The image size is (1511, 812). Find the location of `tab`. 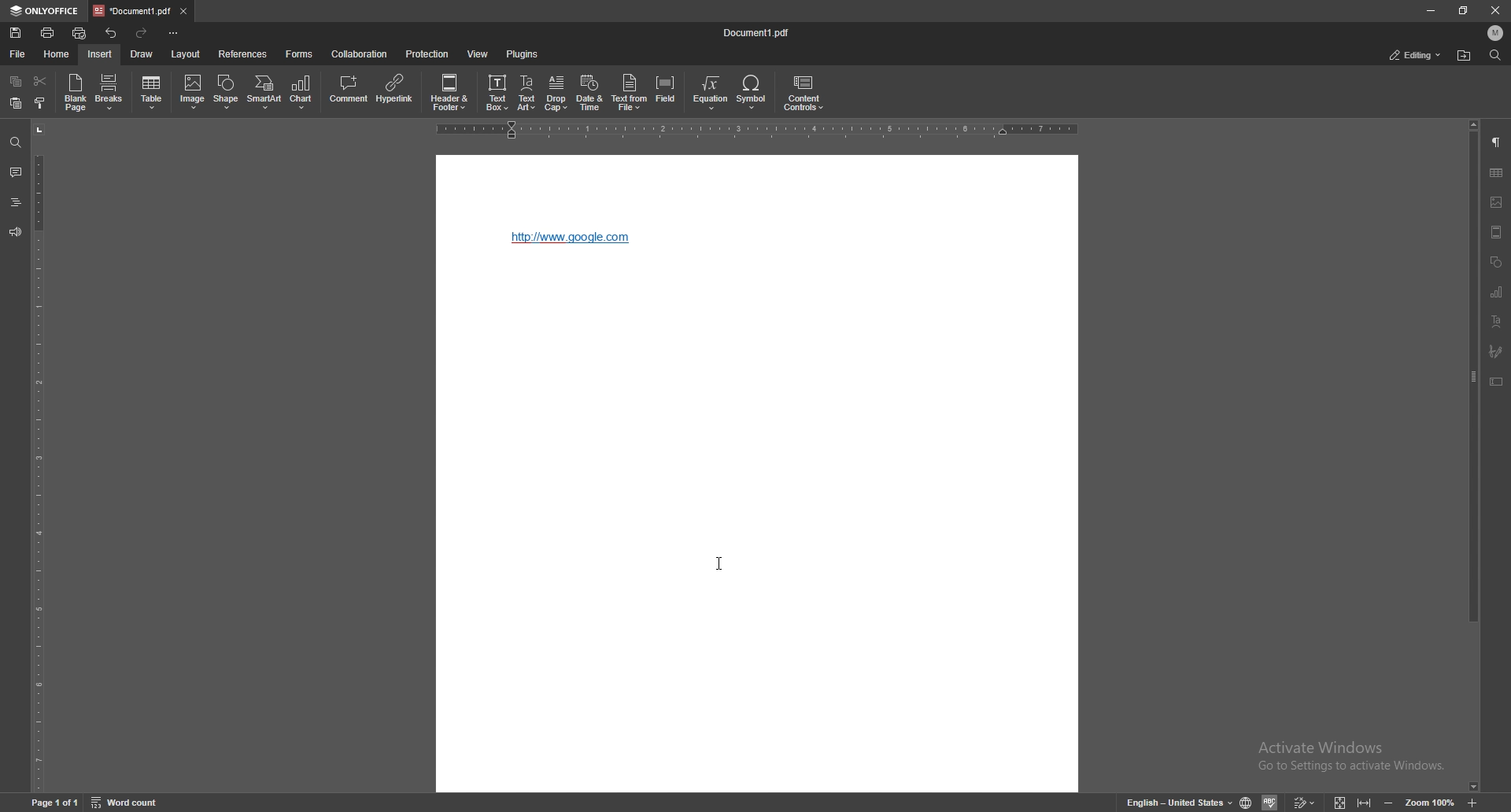

tab is located at coordinates (131, 11).